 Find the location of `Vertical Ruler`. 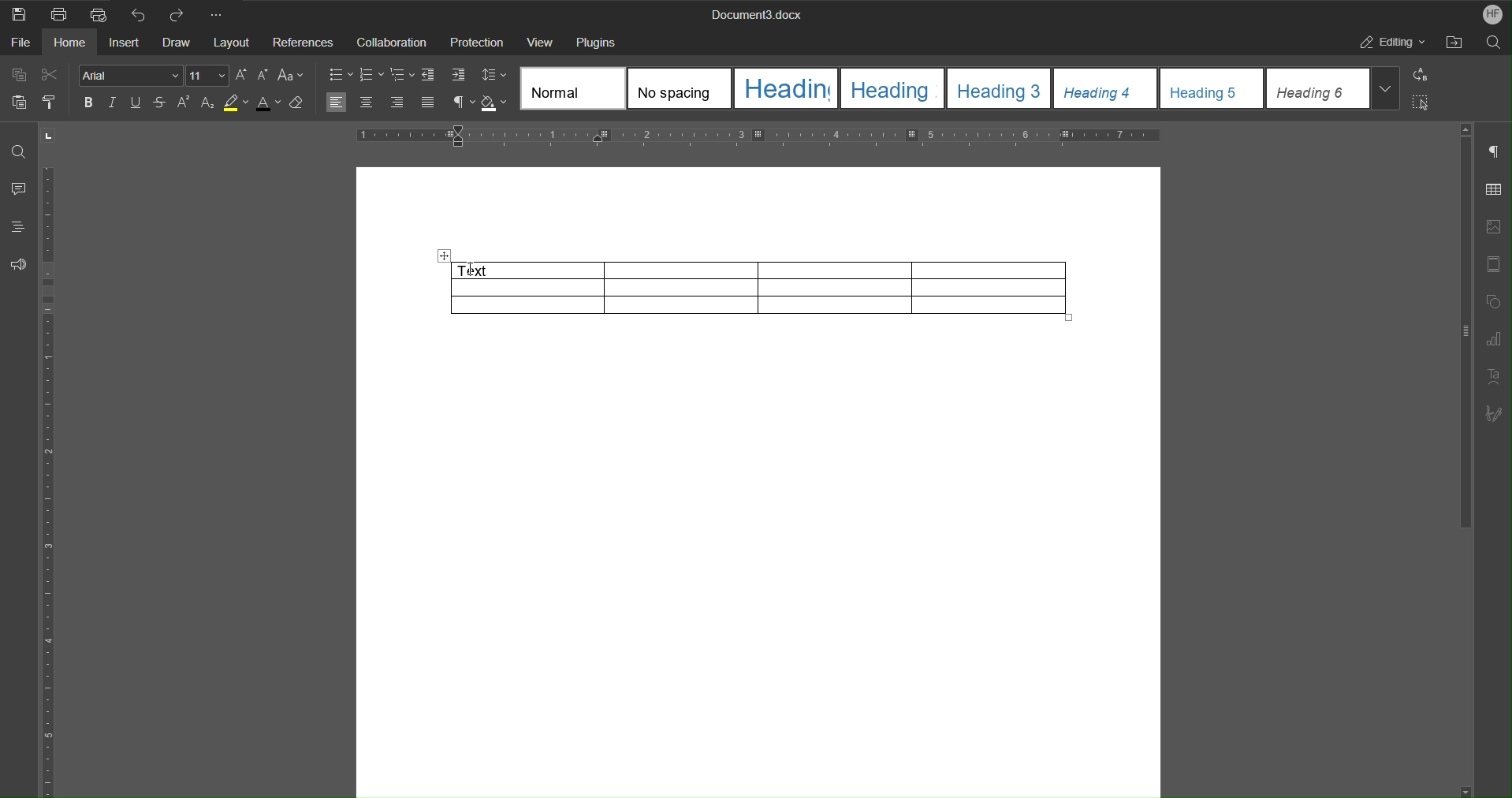

Vertical Ruler is located at coordinates (51, 482).